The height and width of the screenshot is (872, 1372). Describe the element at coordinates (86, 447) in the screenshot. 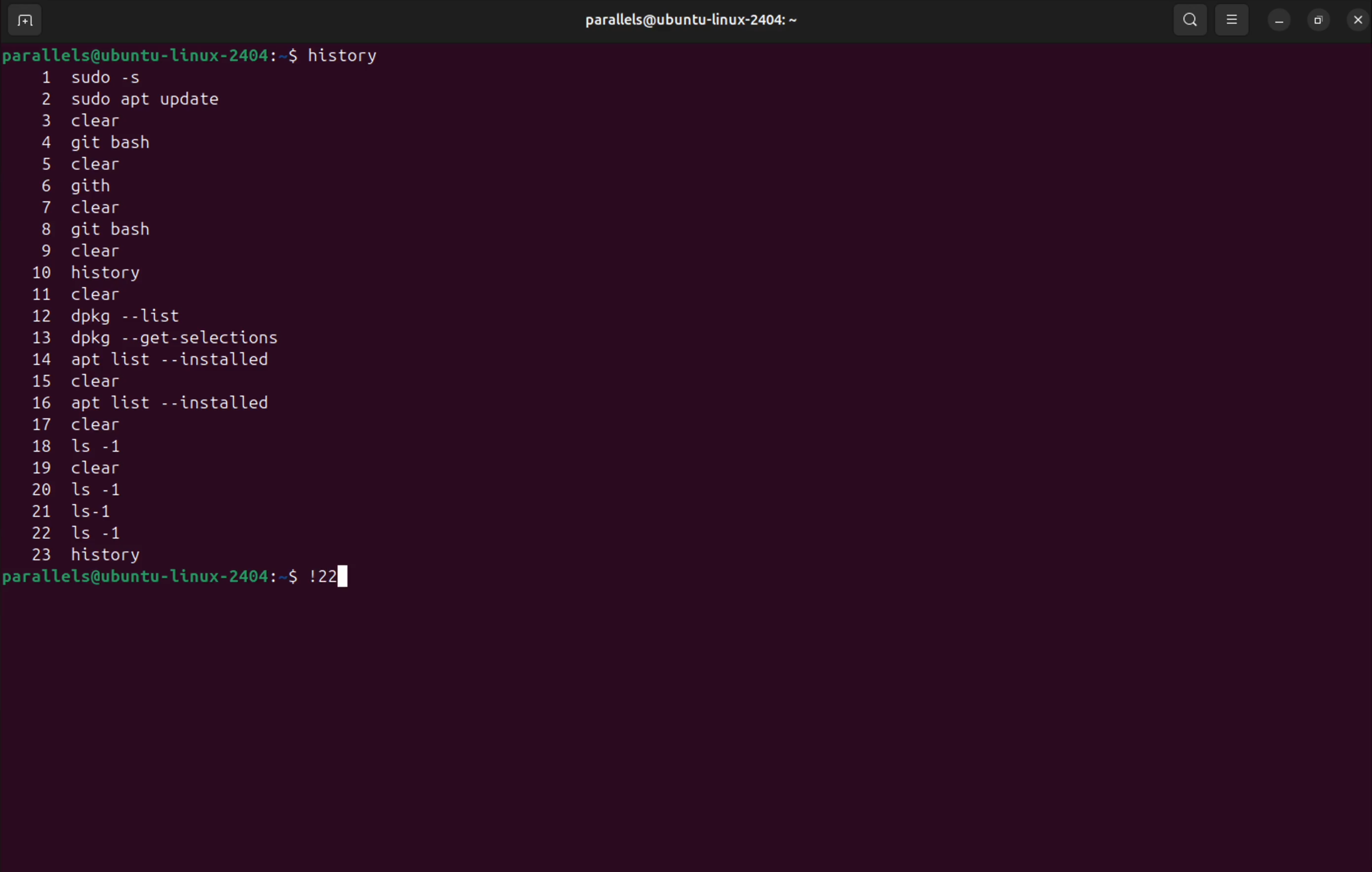

I see `18 ls -1` at that location.